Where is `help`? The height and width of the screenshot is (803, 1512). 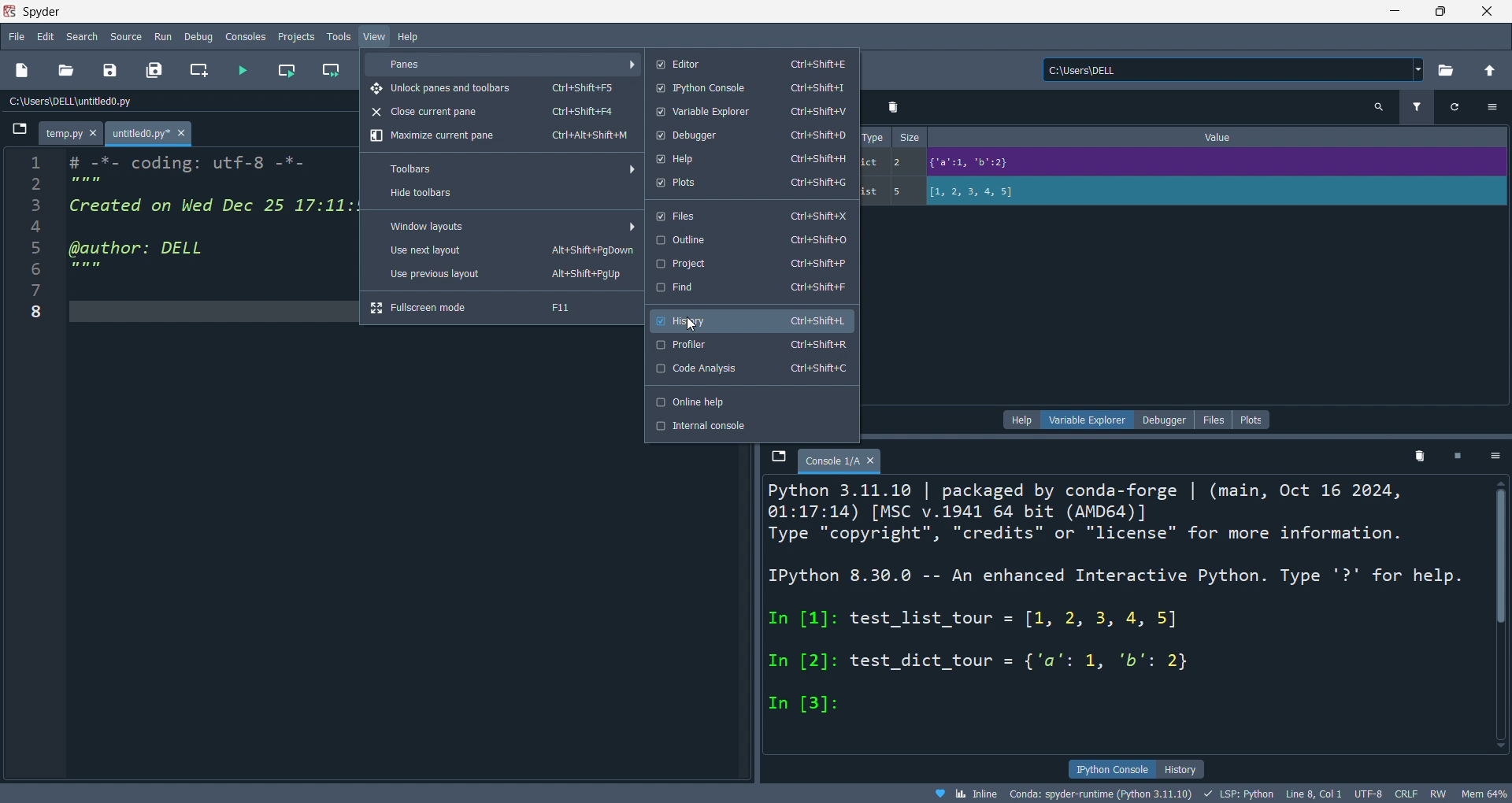
help is located at coordinates (409, 36).